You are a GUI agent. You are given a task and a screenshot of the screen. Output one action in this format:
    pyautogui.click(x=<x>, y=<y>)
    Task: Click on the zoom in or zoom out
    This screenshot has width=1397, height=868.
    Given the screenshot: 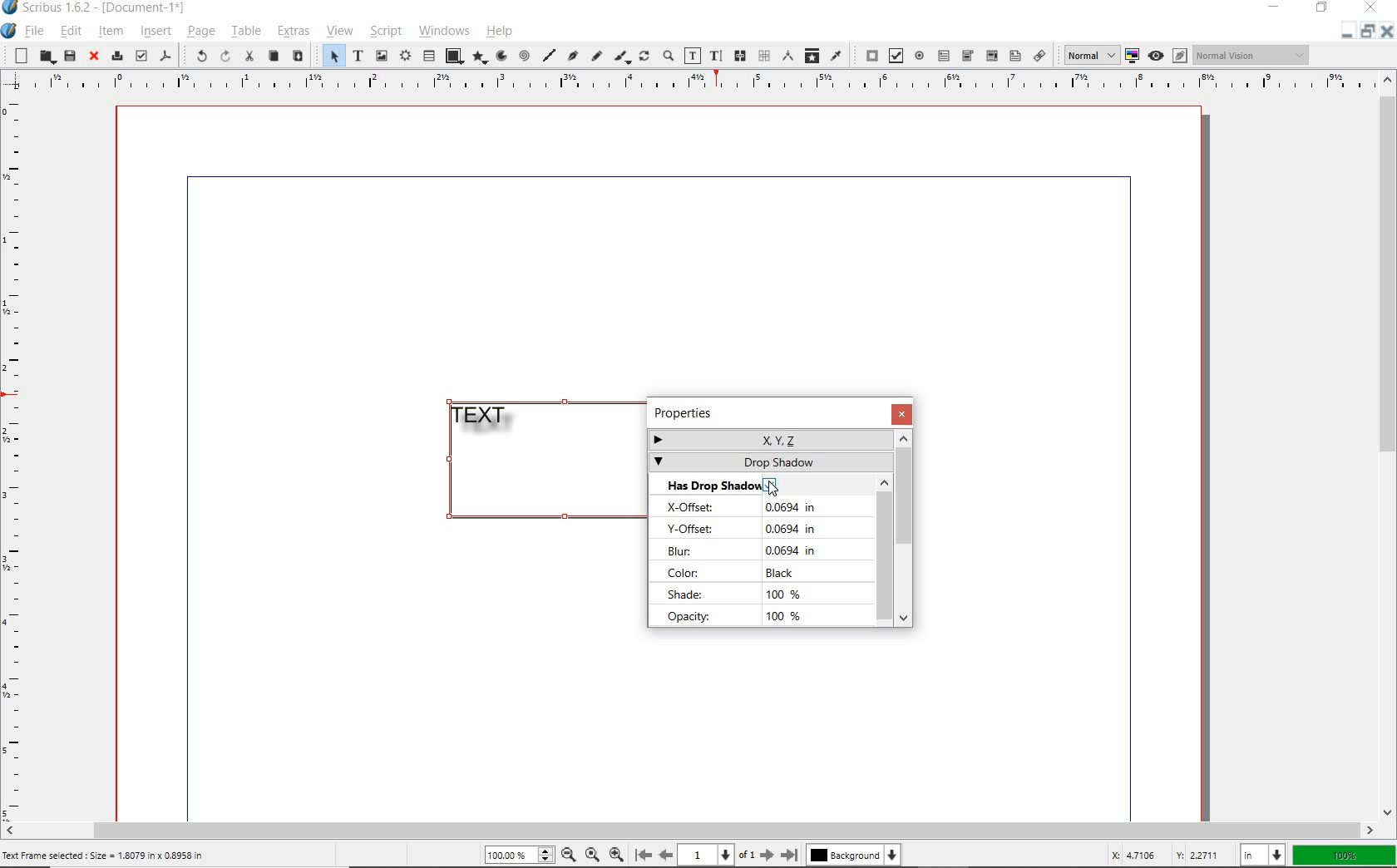 What is the action you would take?
    pyautogui.click(x=668, y=57)
    